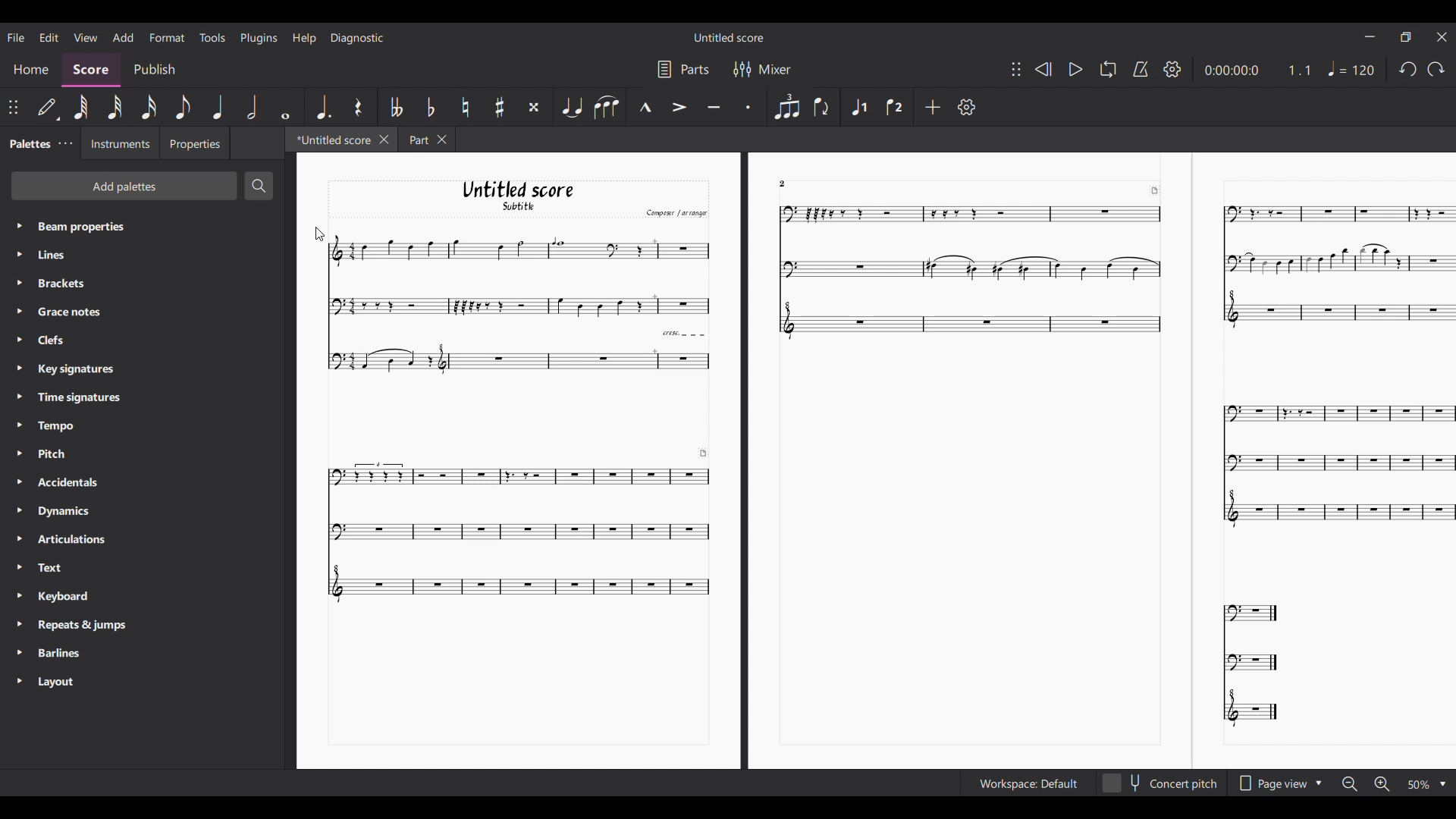 The height and width of the screenshot is (819, 1456). What do you see at coordinates (64, 340) in the screenshot?
I see `Clefs` at bounding box center [64, 340].